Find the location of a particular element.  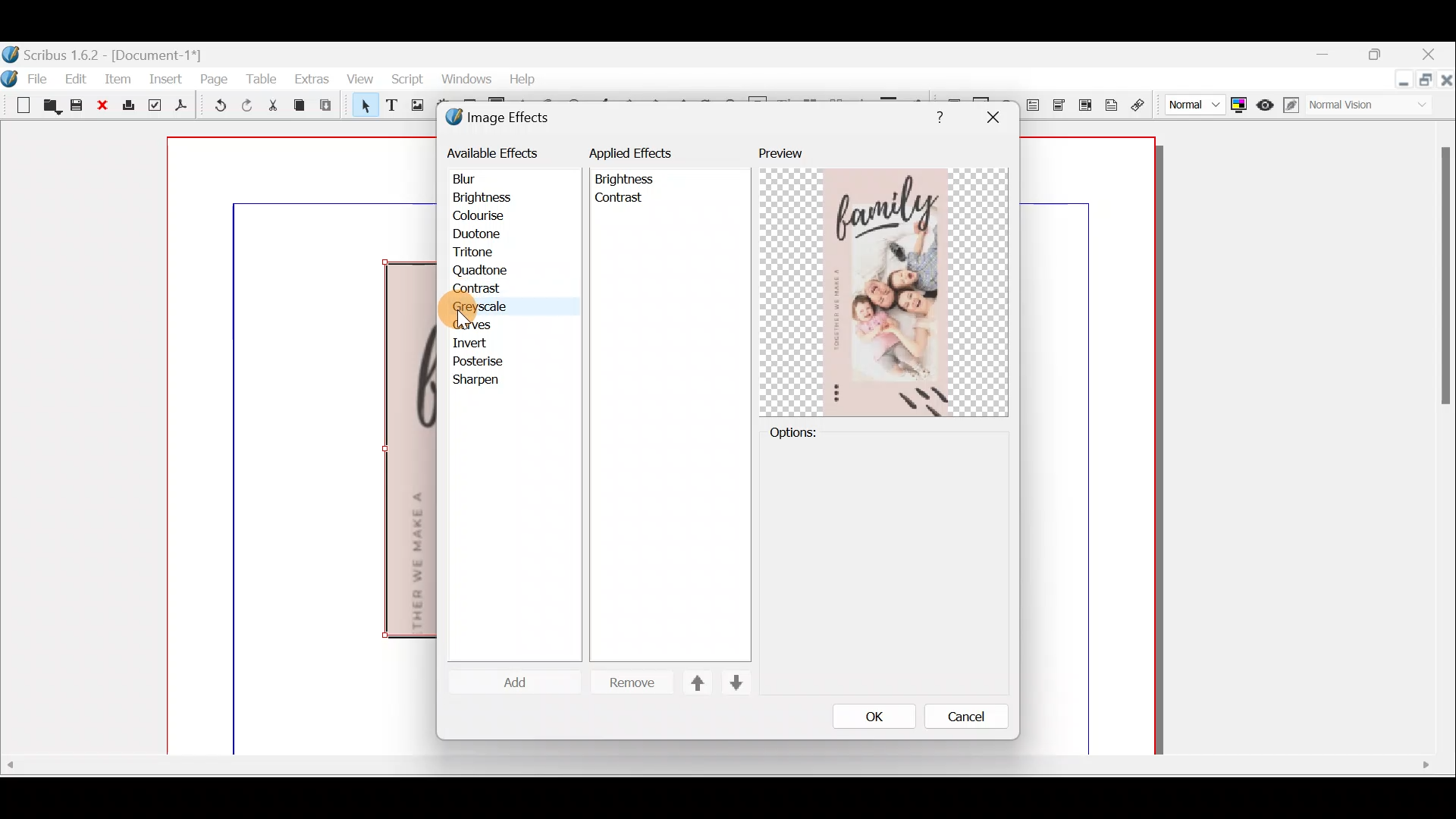

Save as PDF is located at coordinates (183, 107).